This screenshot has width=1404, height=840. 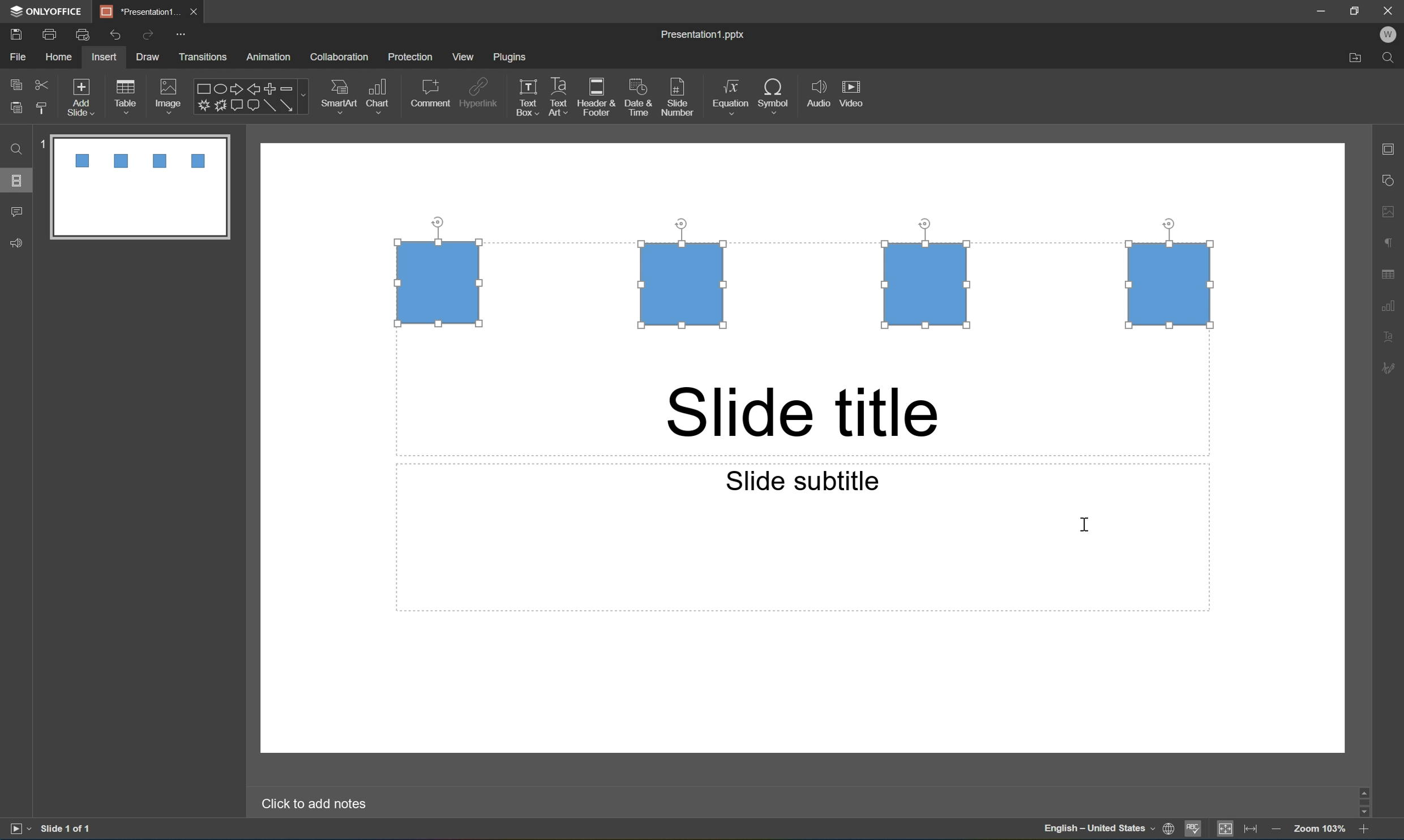 I want to click on image, so click(x=168, y=93).